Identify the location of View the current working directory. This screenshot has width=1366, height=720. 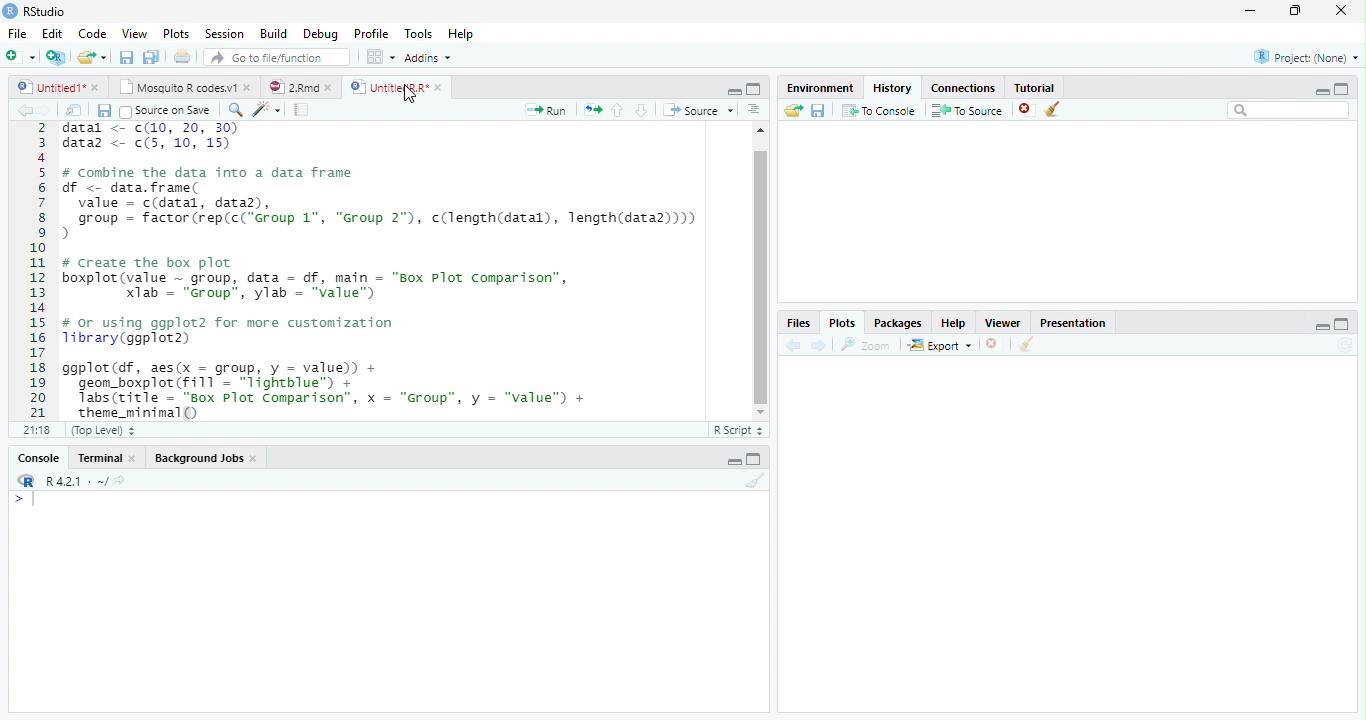
(119, 480).